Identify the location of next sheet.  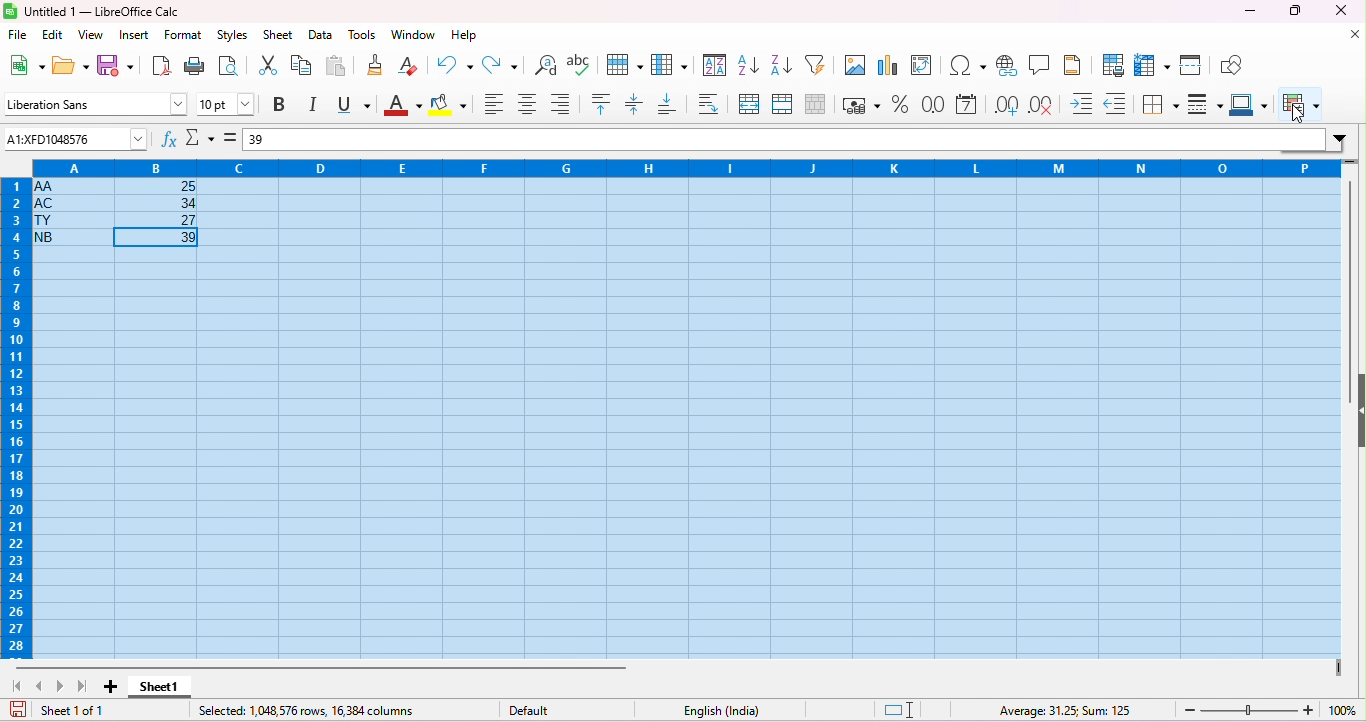
(63, 686).